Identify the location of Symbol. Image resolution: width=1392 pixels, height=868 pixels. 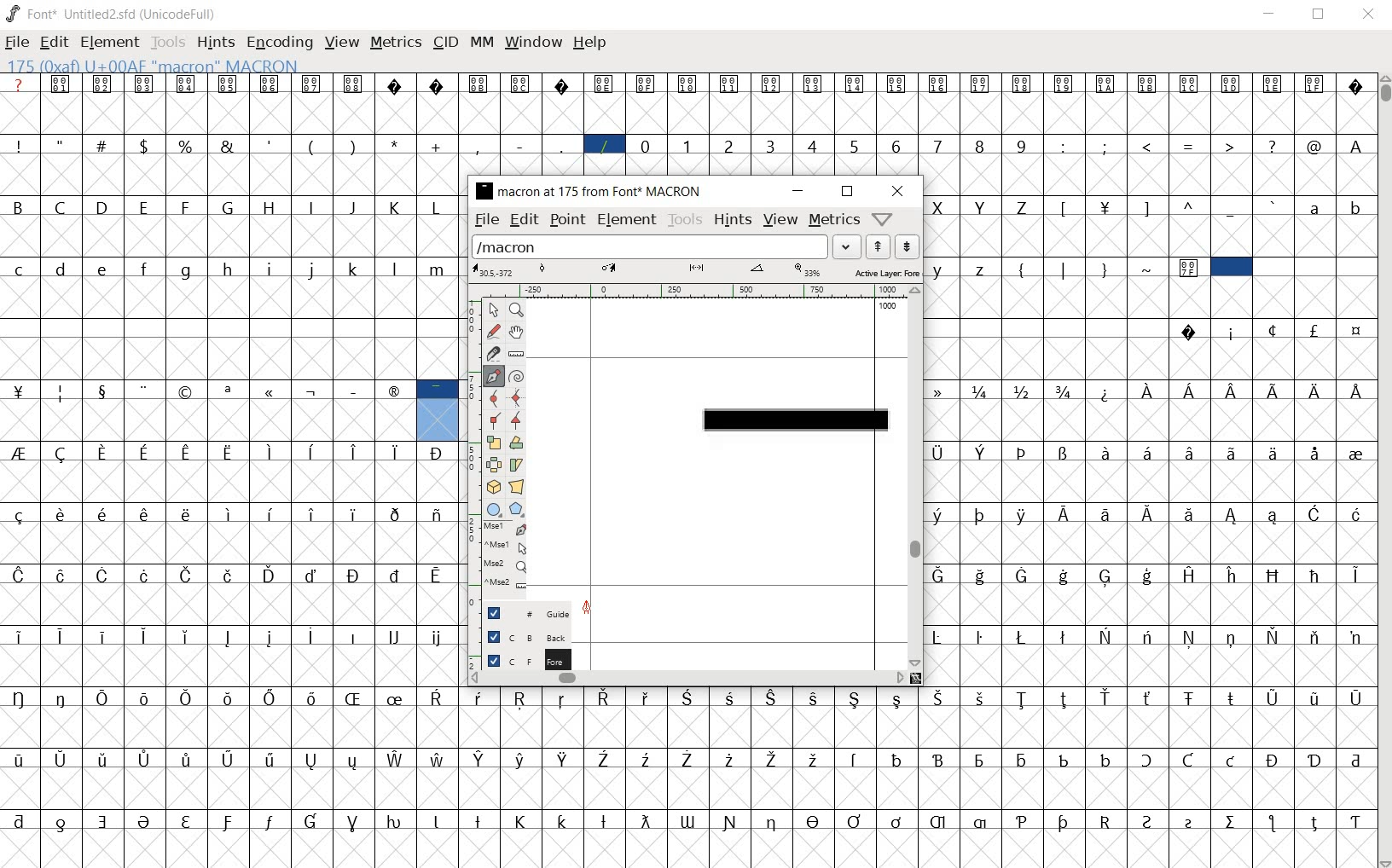
(981, 574).